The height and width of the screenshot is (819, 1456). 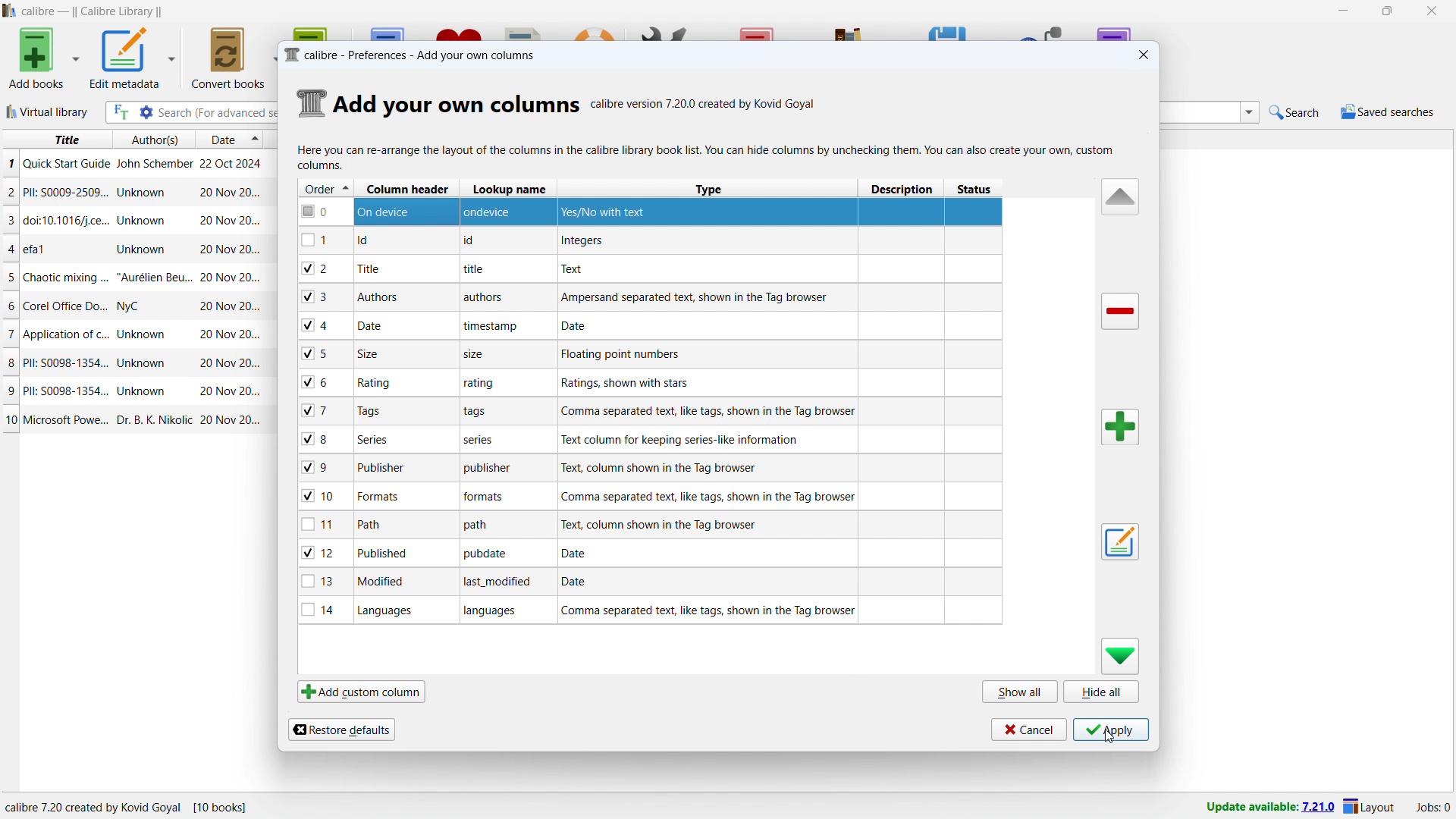 What do you see at coordinates (1388, 111) in the screenshot?
I see `saved searches menu` at bounding box center [1388, 111].